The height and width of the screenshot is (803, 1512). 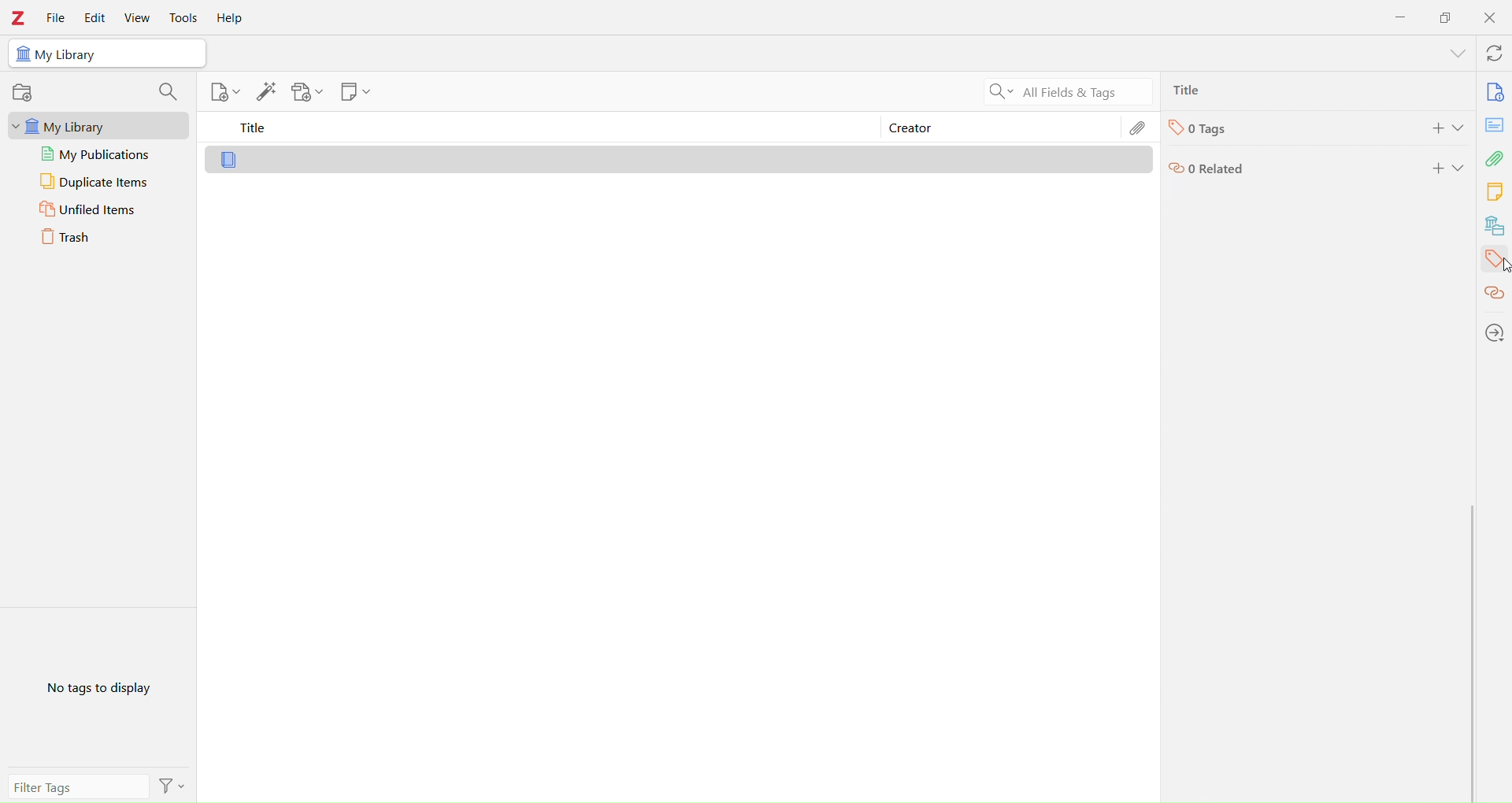 I want to click on Close, so click(x=1491, y=17).